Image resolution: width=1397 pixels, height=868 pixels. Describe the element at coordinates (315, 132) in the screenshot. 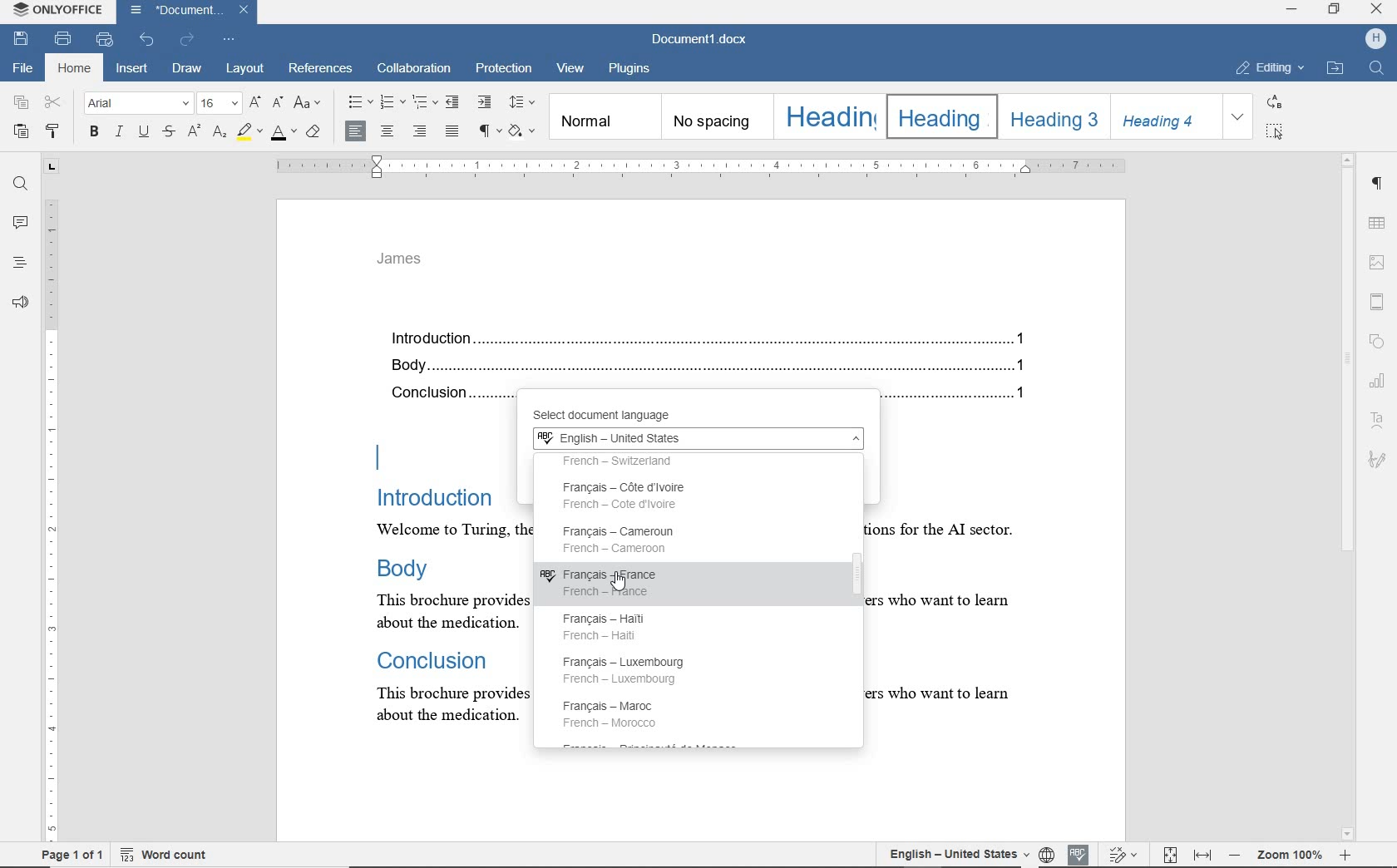

I see `clear style` at that location.